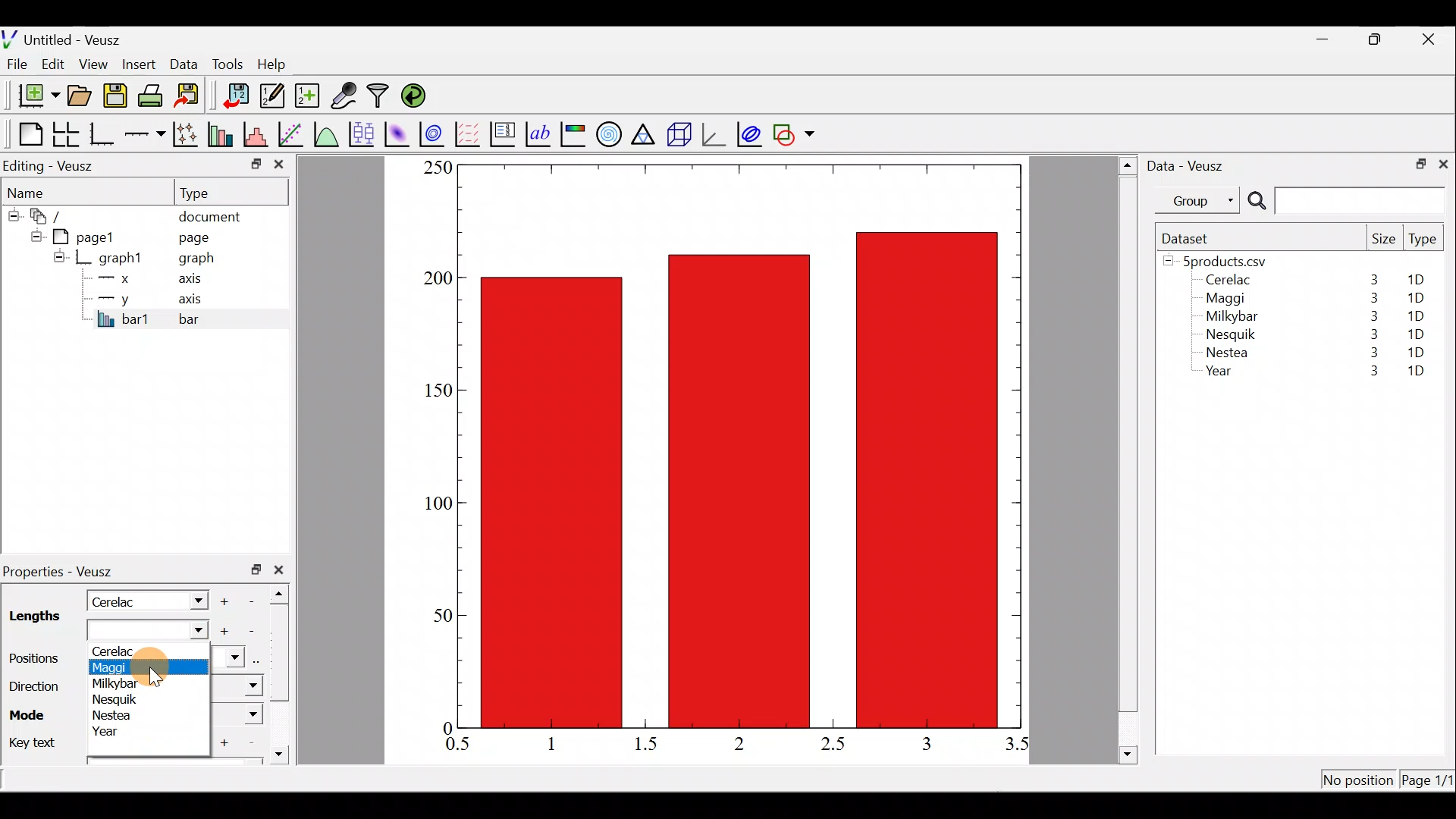 The width and height of the screenshot is (1456, 819). Describe the element at coordinates (1191, 238) in the screenshot. I see `Dataset` at that location.